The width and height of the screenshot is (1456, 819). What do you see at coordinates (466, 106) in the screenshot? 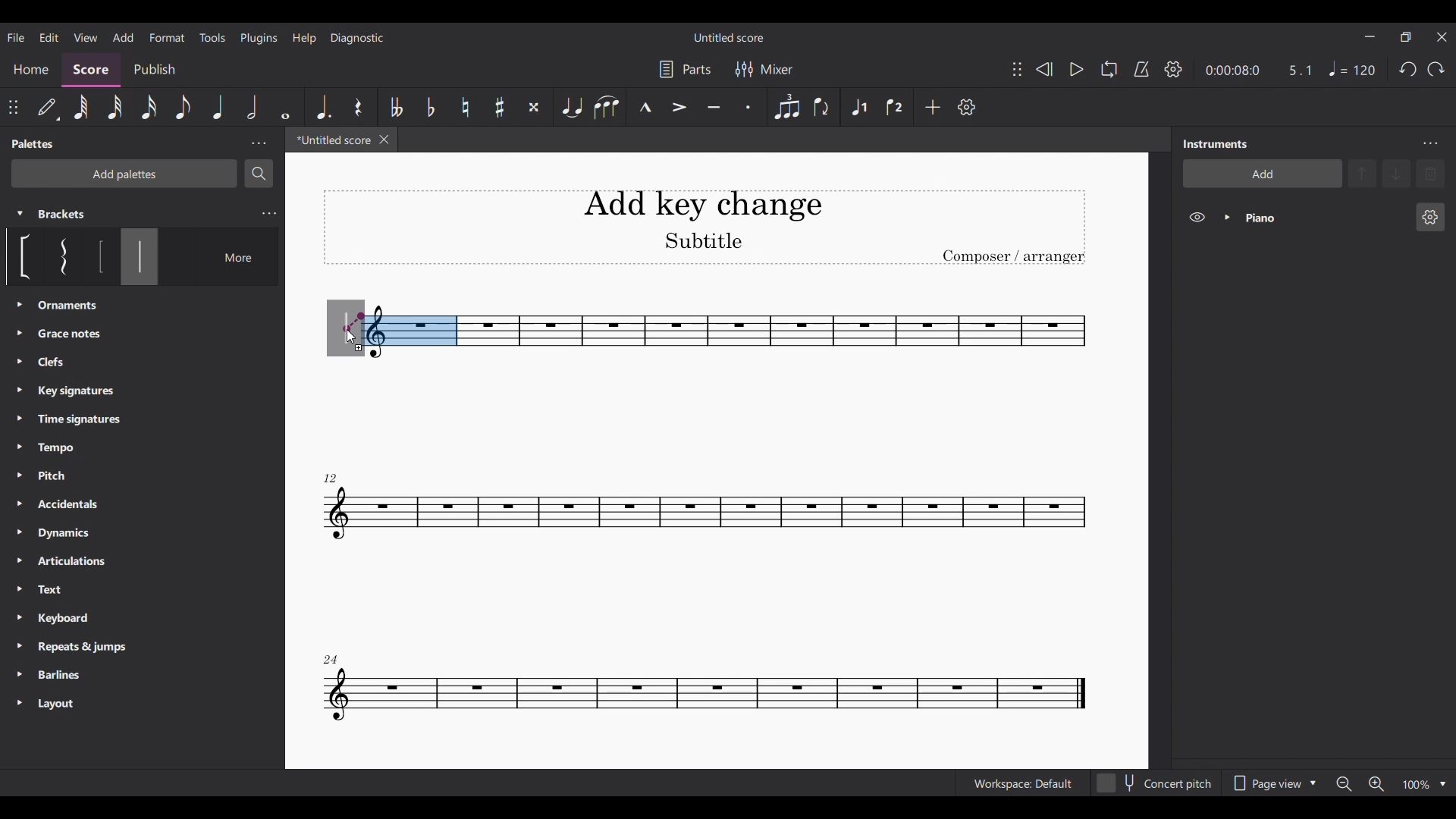
I see `Toggle natural` at bounding box center [466, 106].